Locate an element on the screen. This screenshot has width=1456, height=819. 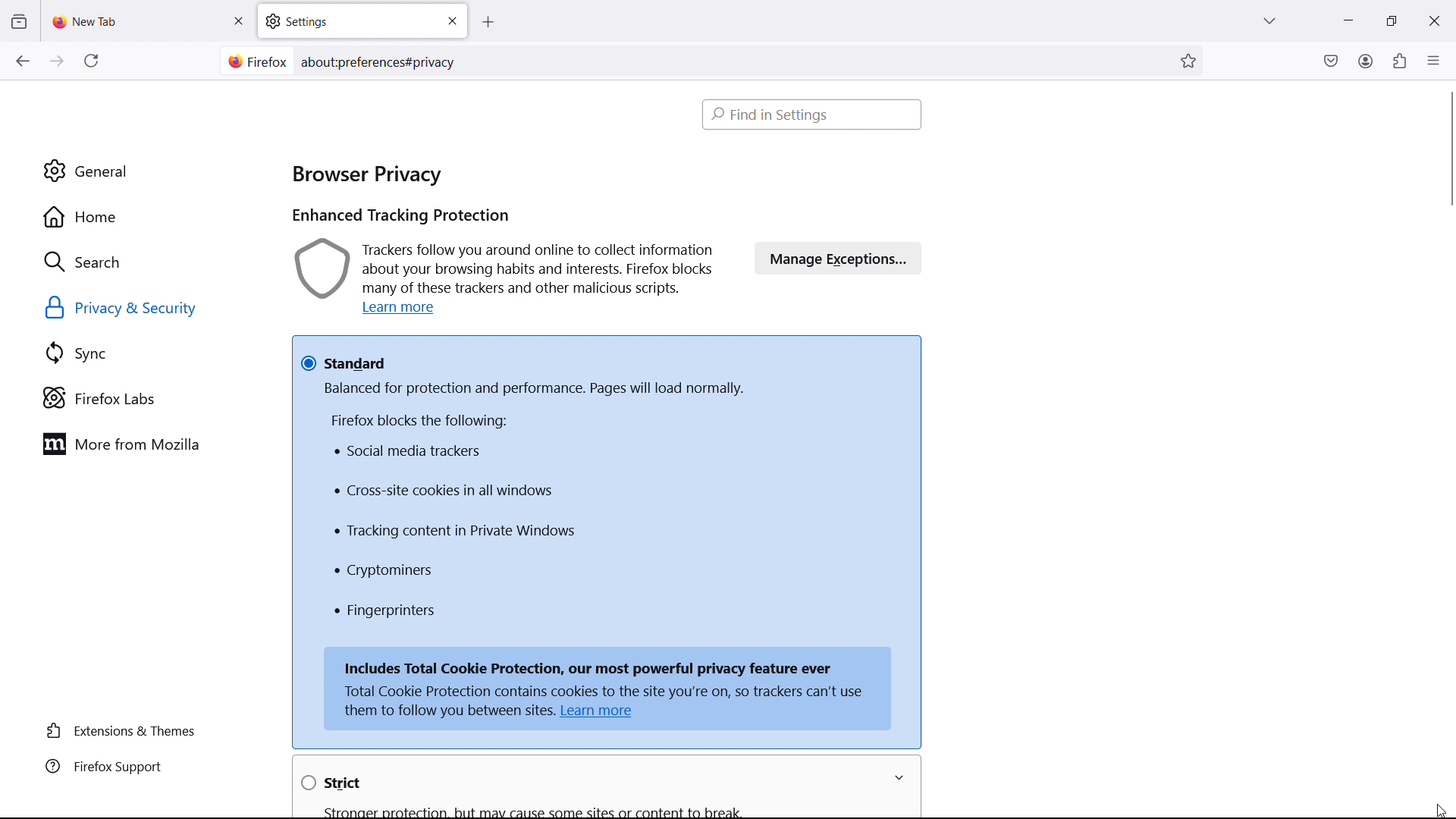
maximize is located at coordinates (1388, 21).